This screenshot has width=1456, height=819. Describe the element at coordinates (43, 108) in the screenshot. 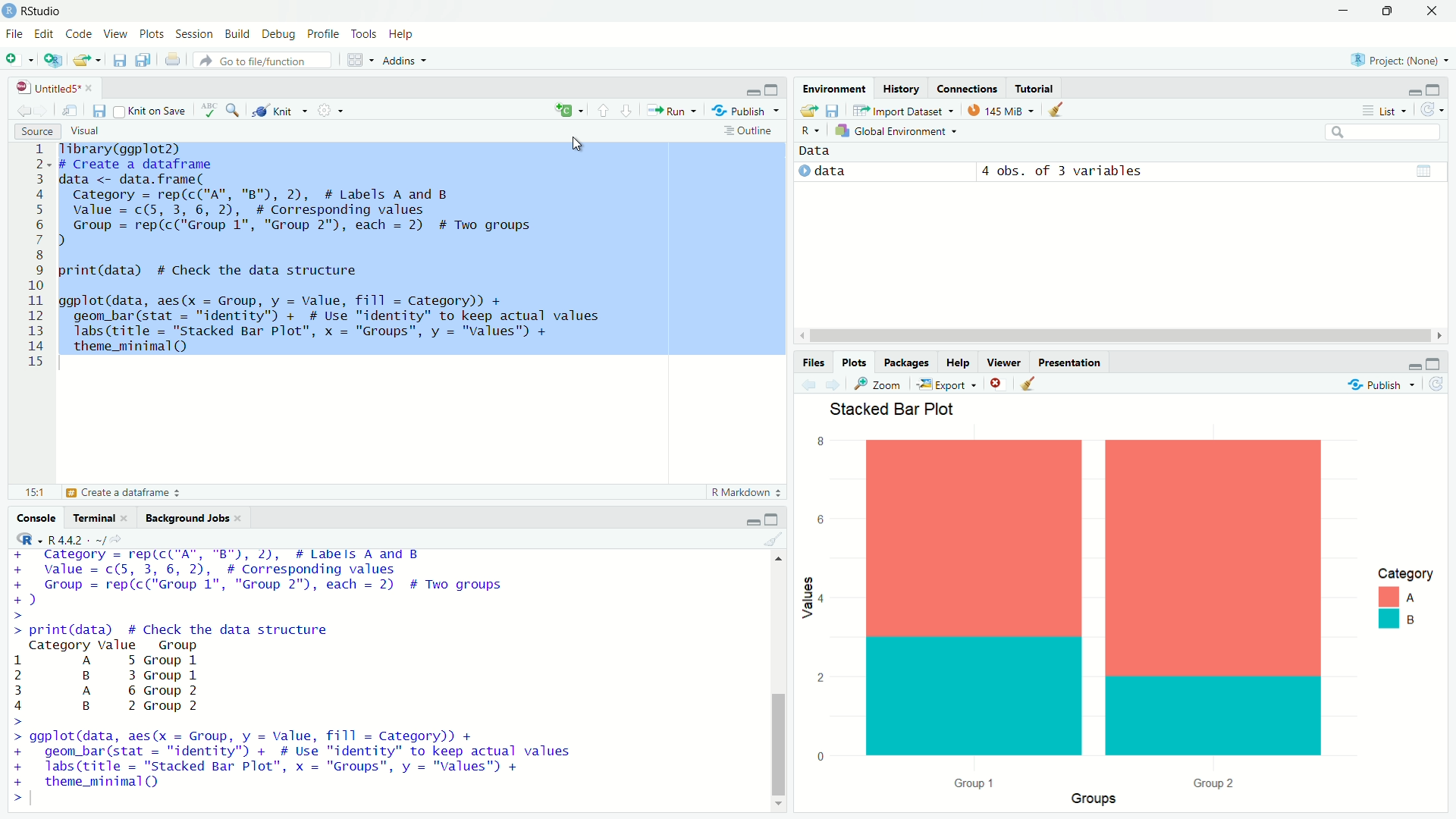

I see `Go forward to the next source location (Ctrl + F10)` at that location.